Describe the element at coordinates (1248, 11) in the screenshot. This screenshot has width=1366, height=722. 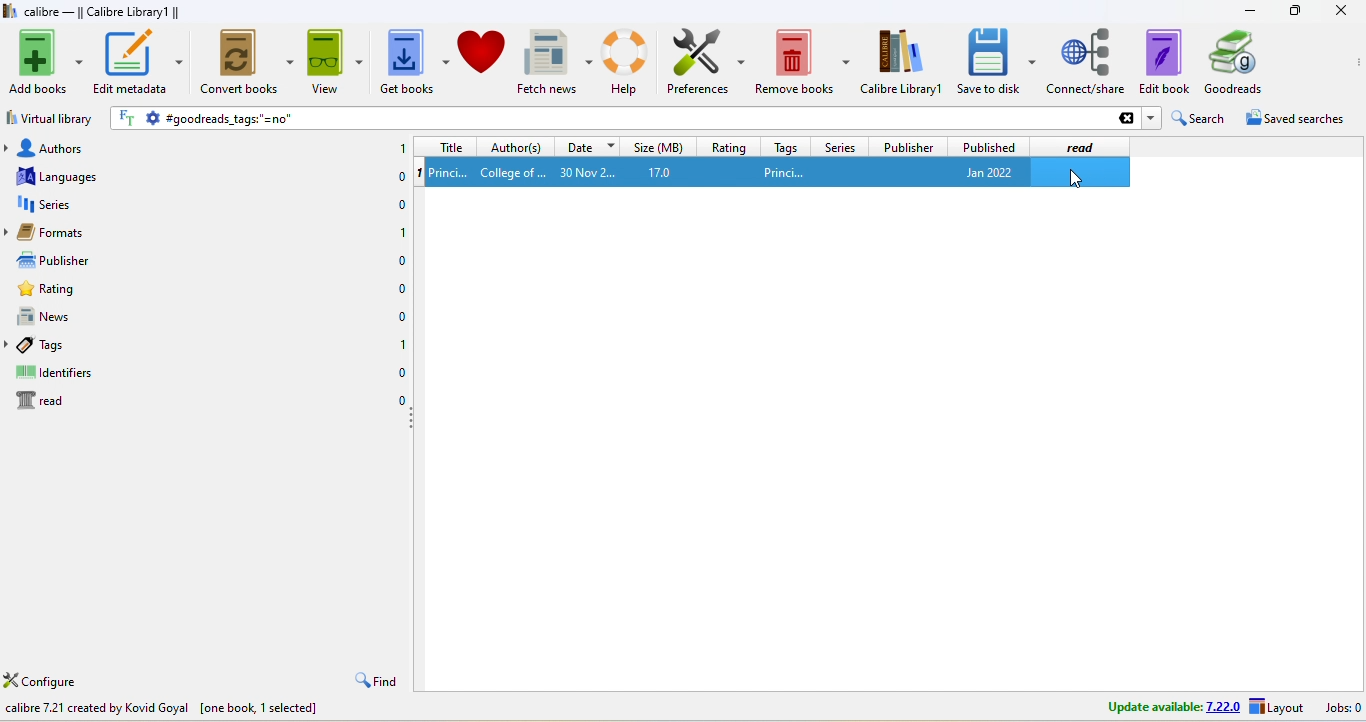
I see `minimize` at that location.